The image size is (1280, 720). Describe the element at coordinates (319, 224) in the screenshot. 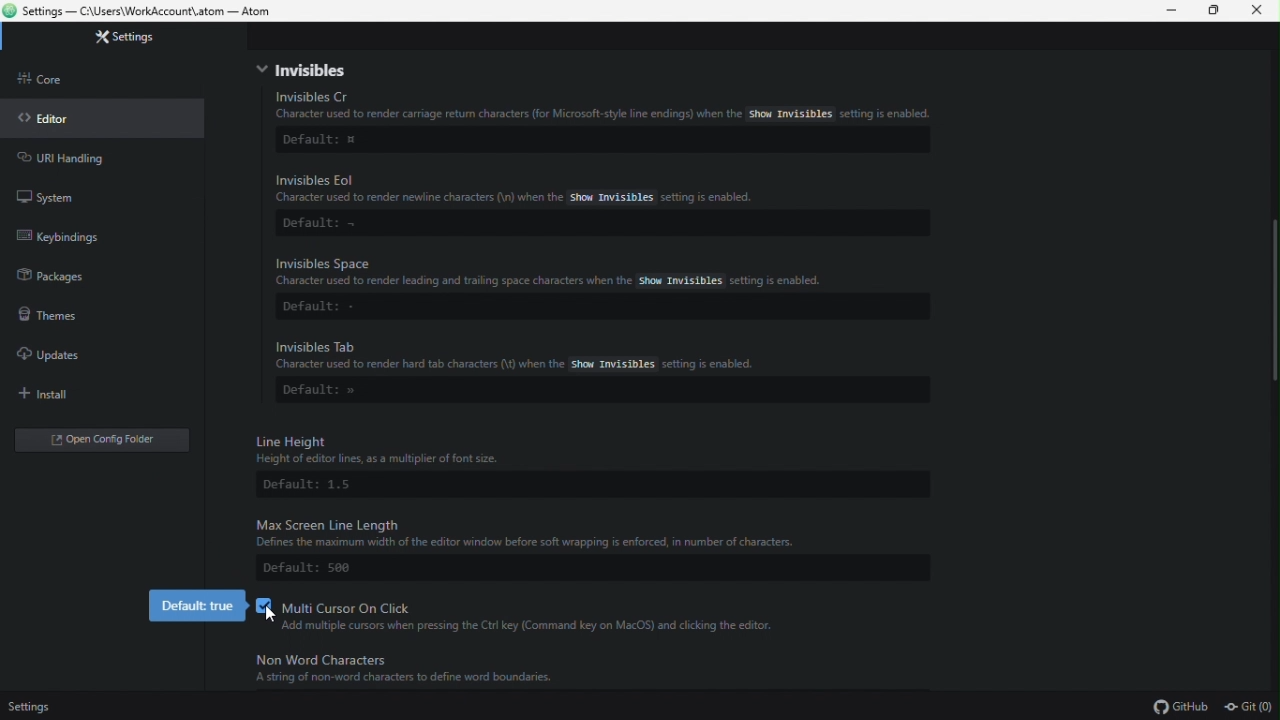

I see `Default: ~` at that location.